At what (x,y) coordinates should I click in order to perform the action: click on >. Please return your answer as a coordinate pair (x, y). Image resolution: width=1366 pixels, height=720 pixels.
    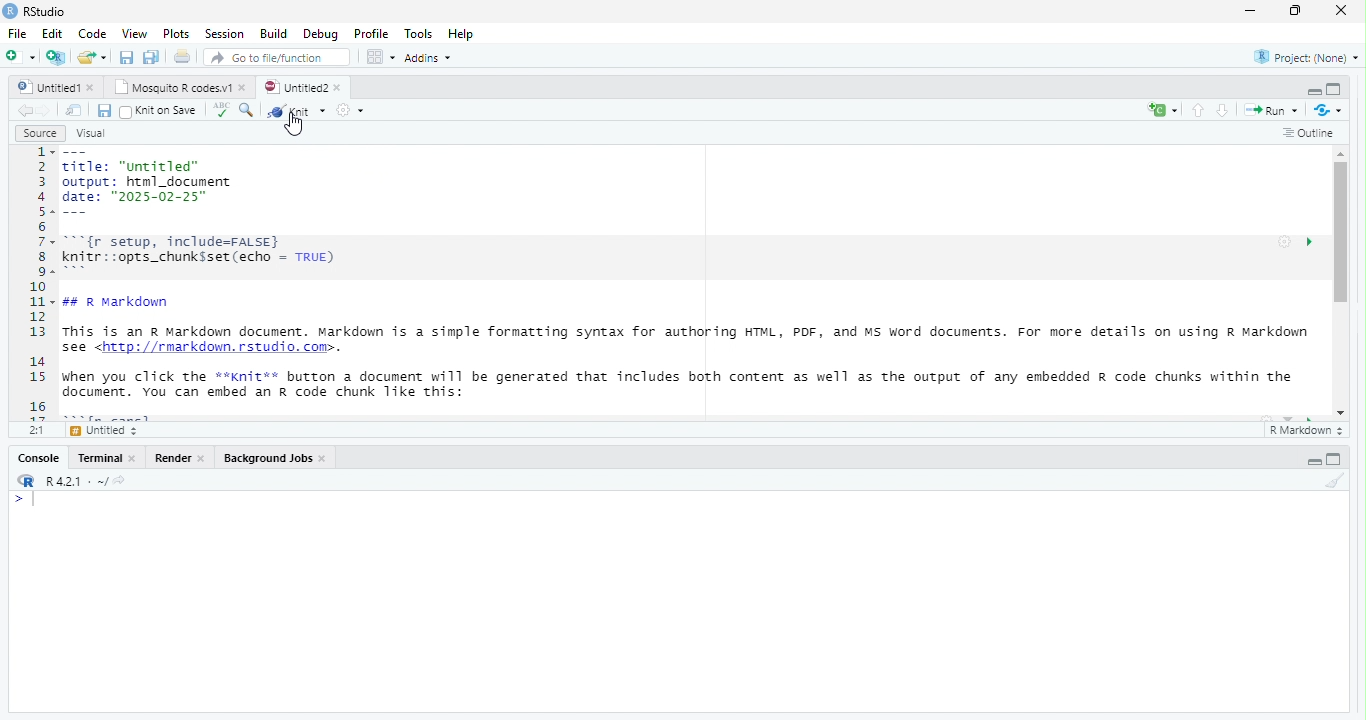
    Looking at the image, I should click on (18, 500).